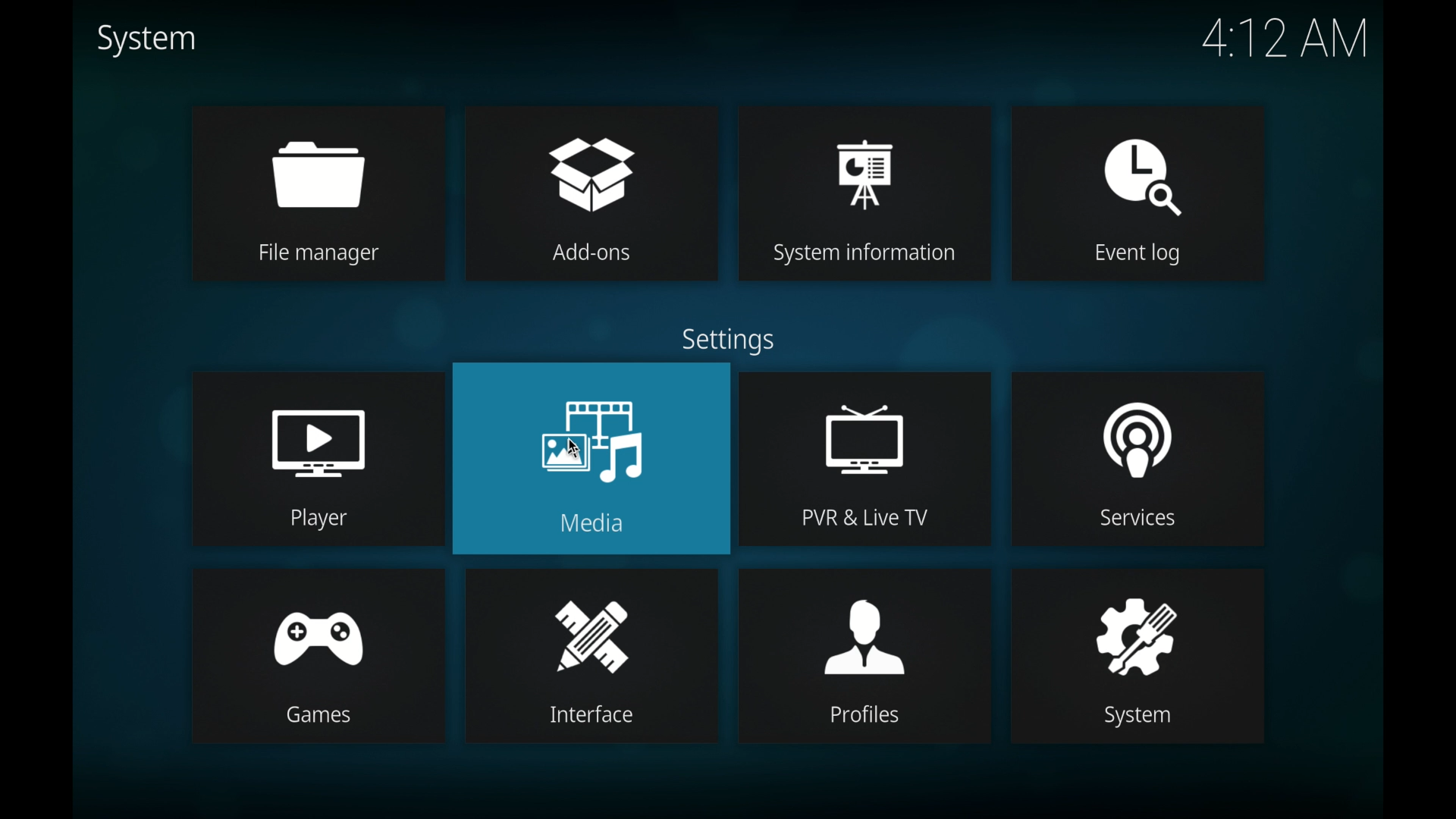 Image resolution: width=1456 pixels, height=819 pixels. Describe the element at coordinates (146, 40) in the screenshot. I see `system` at that location.